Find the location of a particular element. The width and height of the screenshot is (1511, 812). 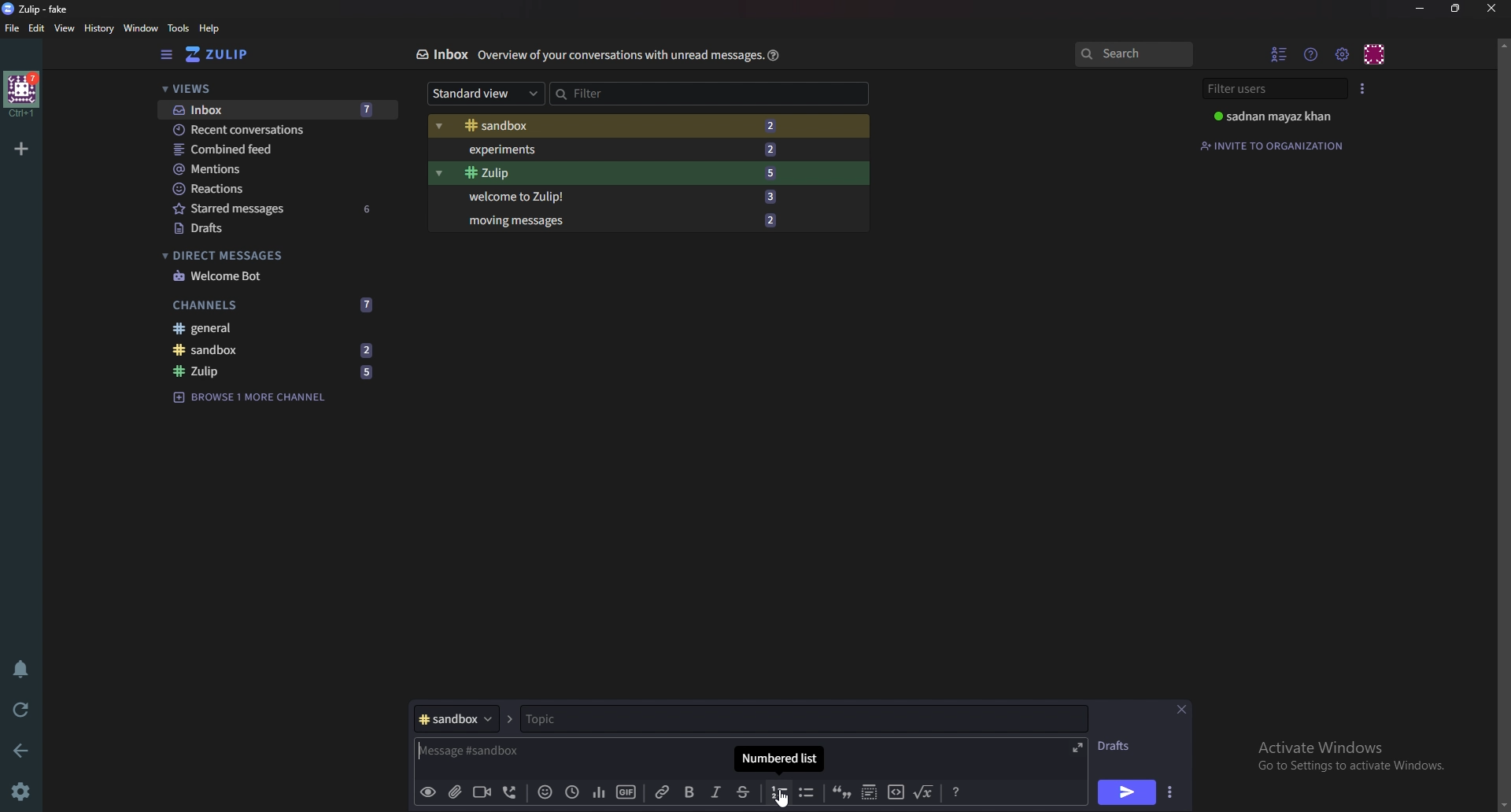

Sandbox is located at coordinates (622, 126).